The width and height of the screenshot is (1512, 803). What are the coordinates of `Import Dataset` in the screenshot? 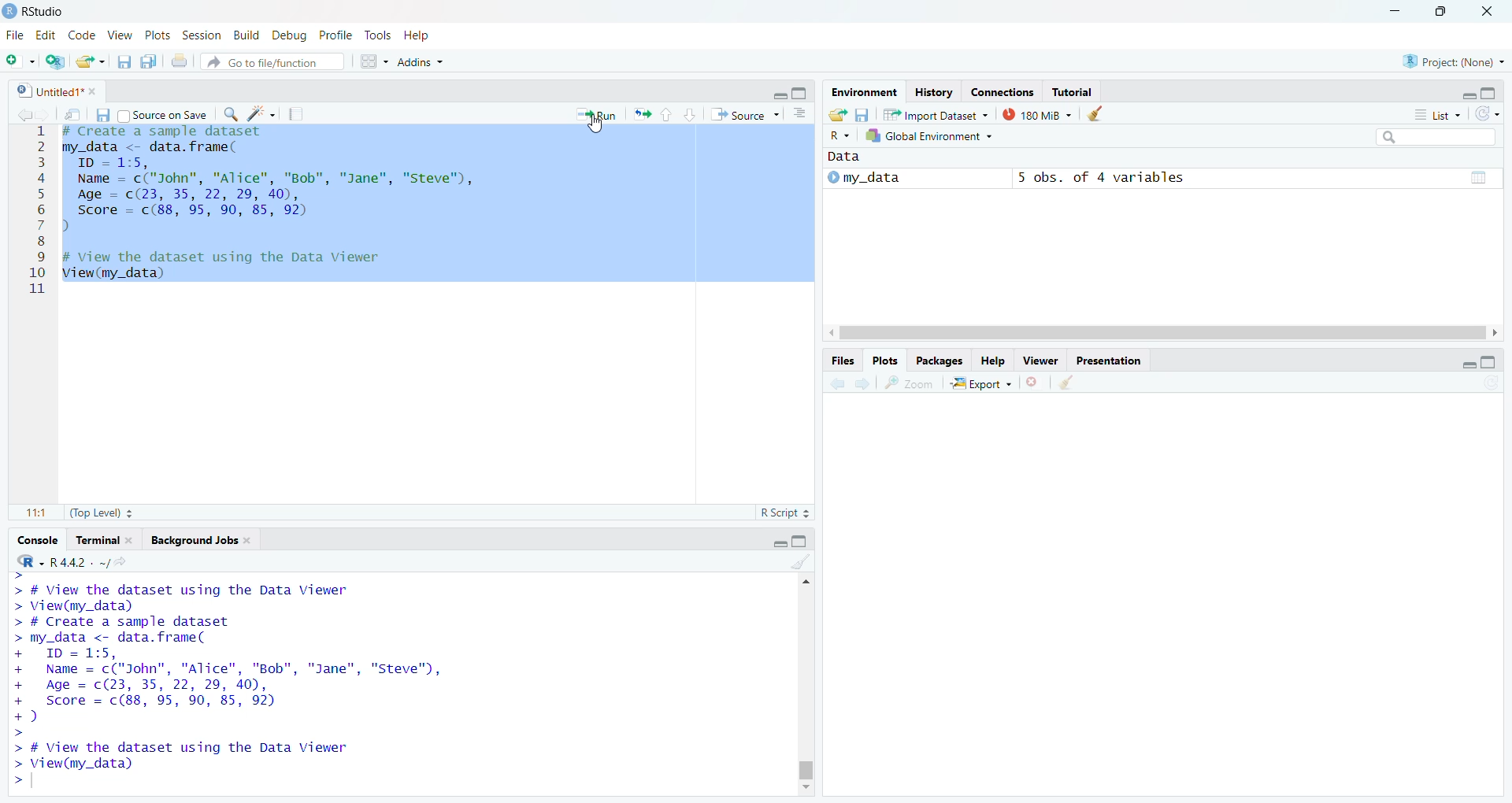 It's located at (935, 115).